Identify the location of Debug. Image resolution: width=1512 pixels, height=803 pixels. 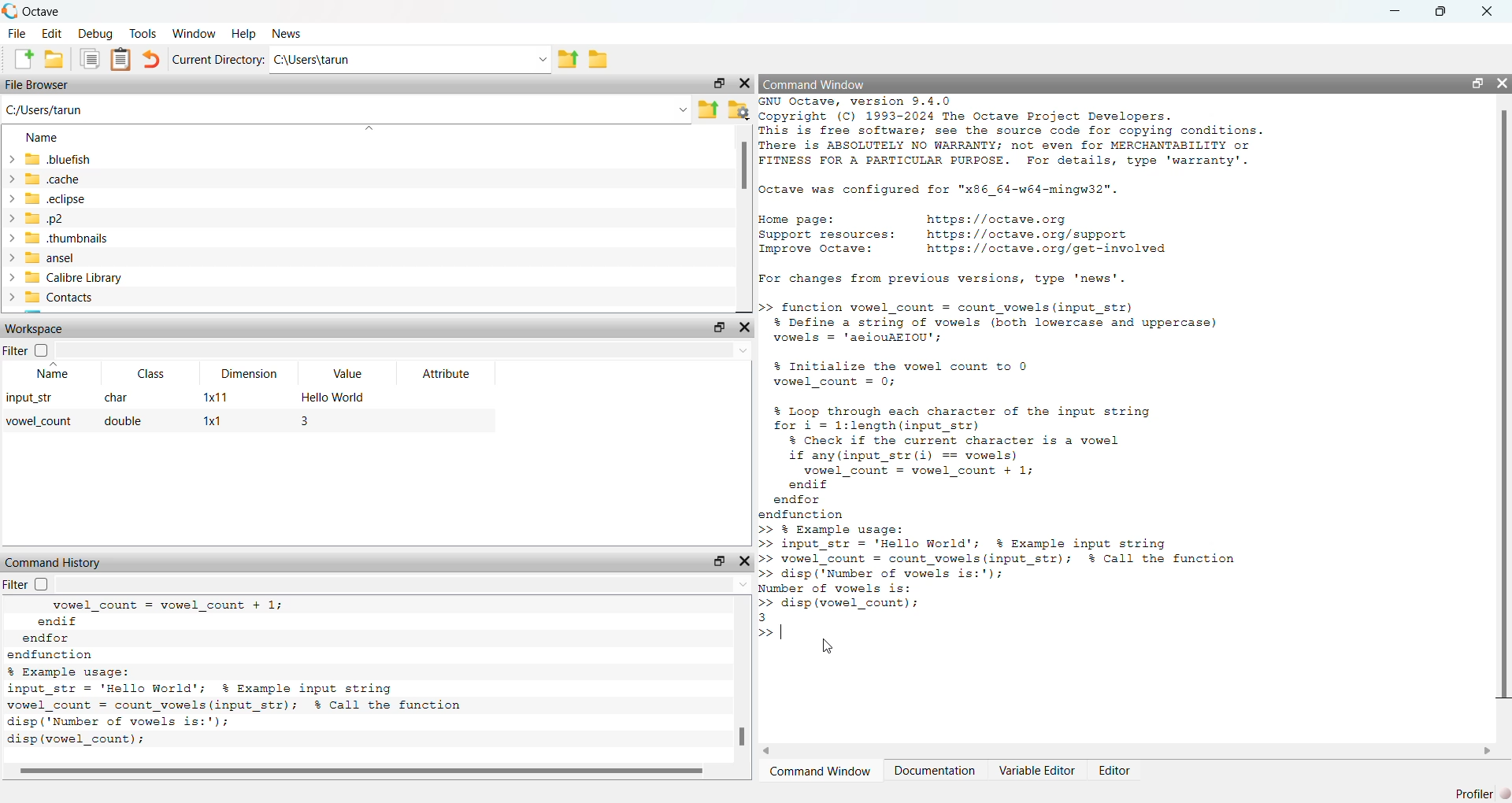
(97, 32).